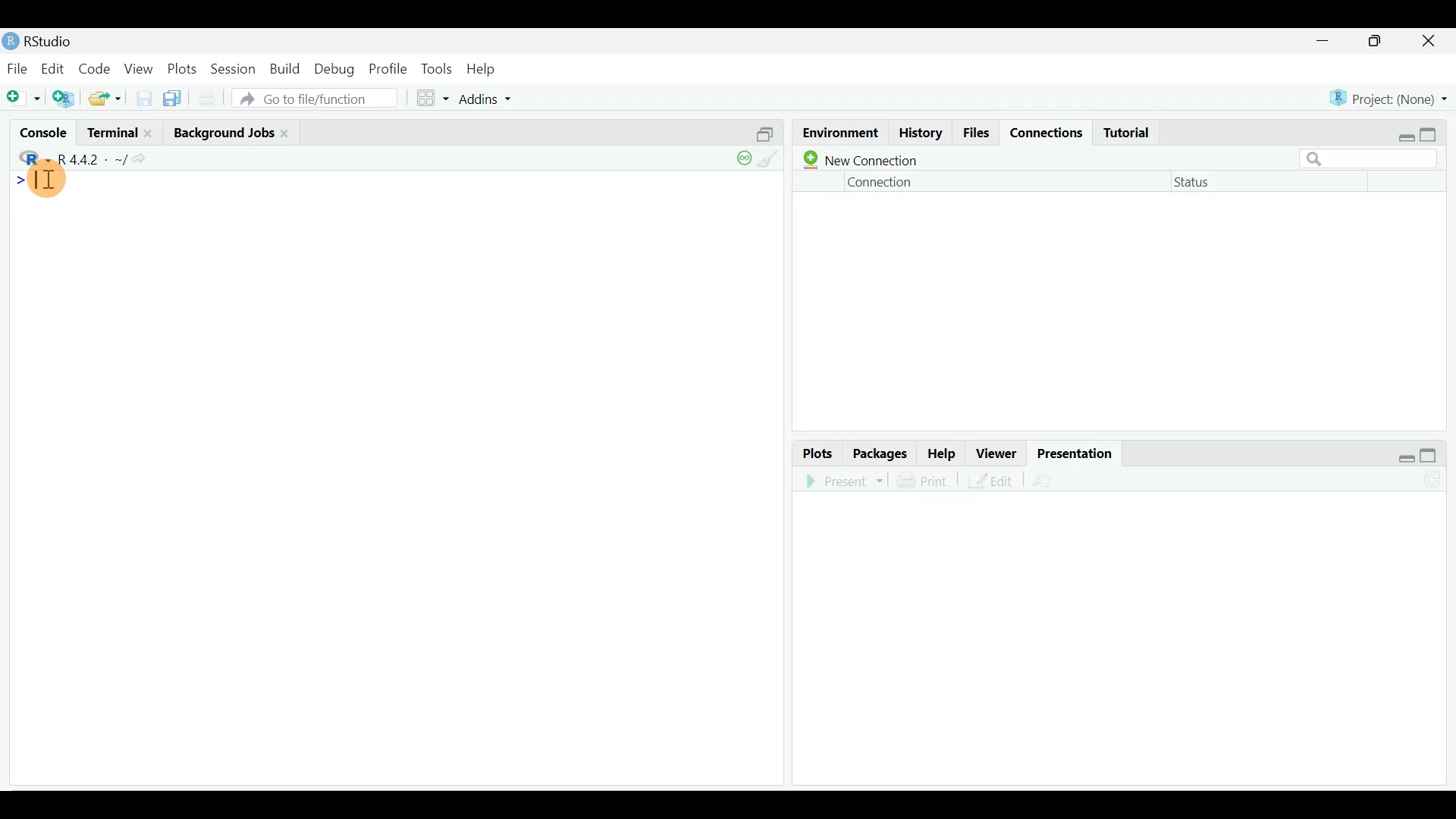  Describe the element at coordinates (918, 133) in the screenshot. I see `History` at that location.